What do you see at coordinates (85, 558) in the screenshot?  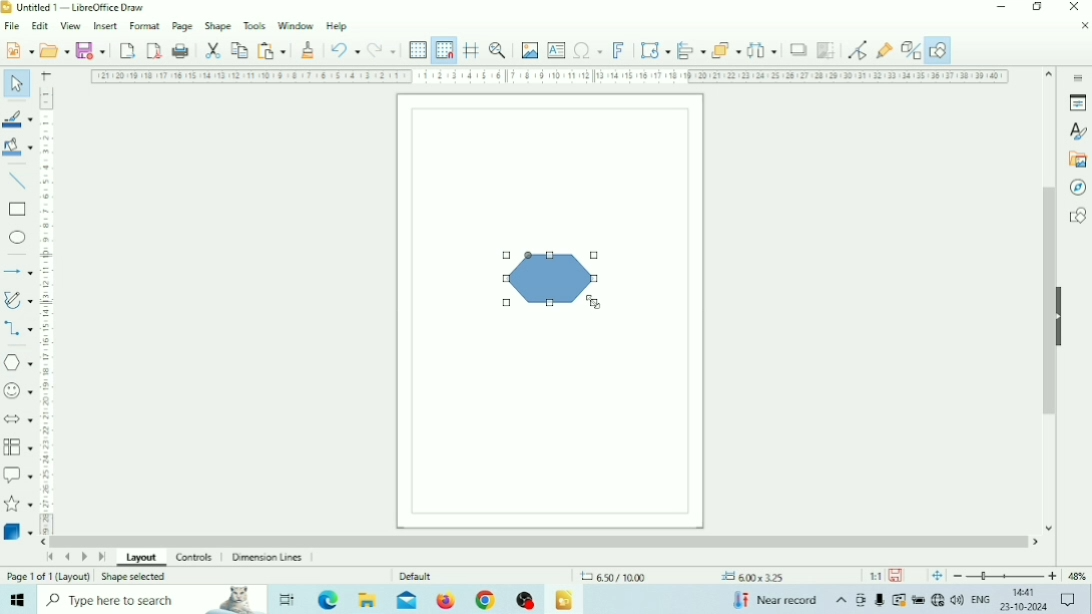 I see `Scroll to next page` at bounding box center [85, 558].